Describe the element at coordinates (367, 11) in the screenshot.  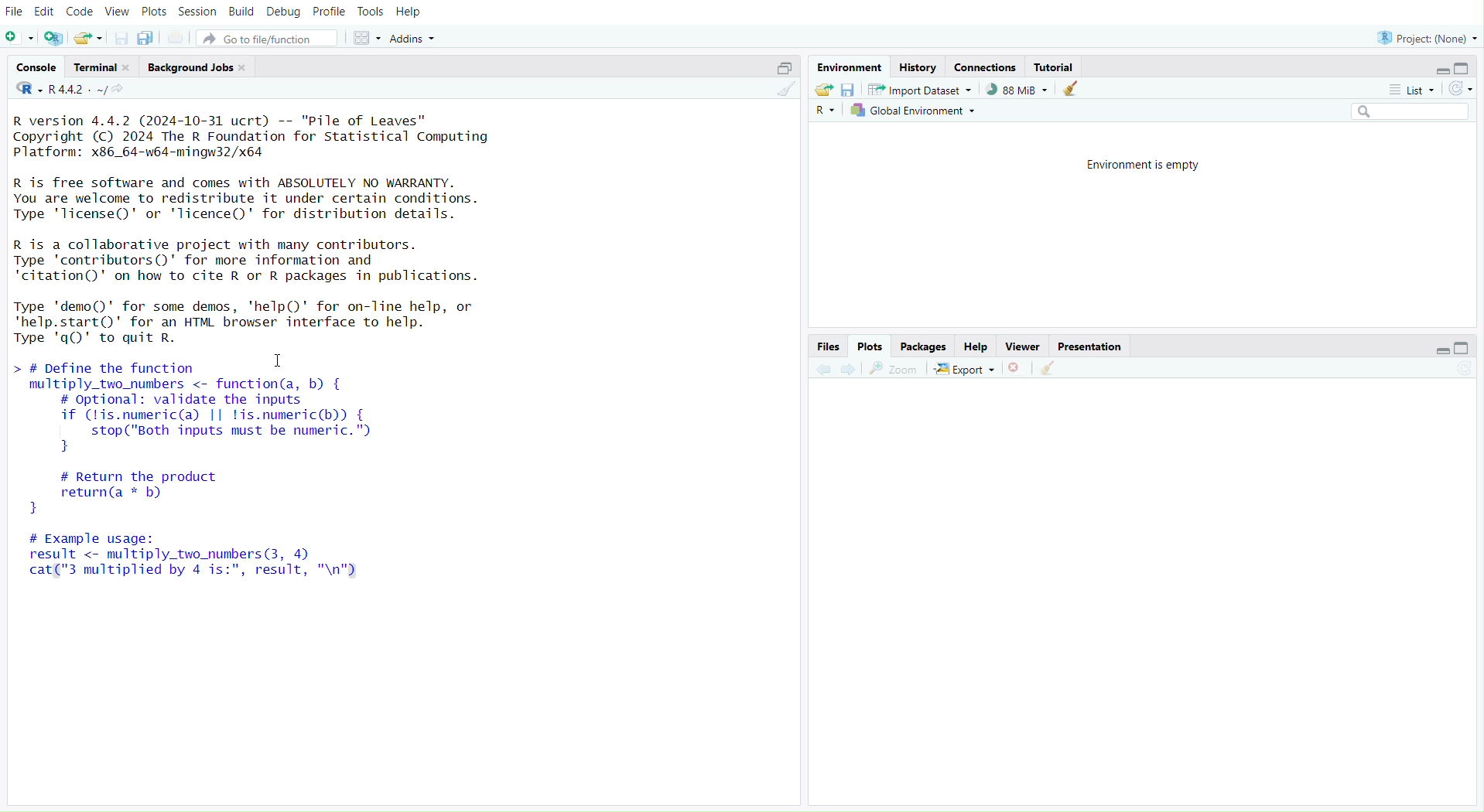
I see `Tools` at that location.